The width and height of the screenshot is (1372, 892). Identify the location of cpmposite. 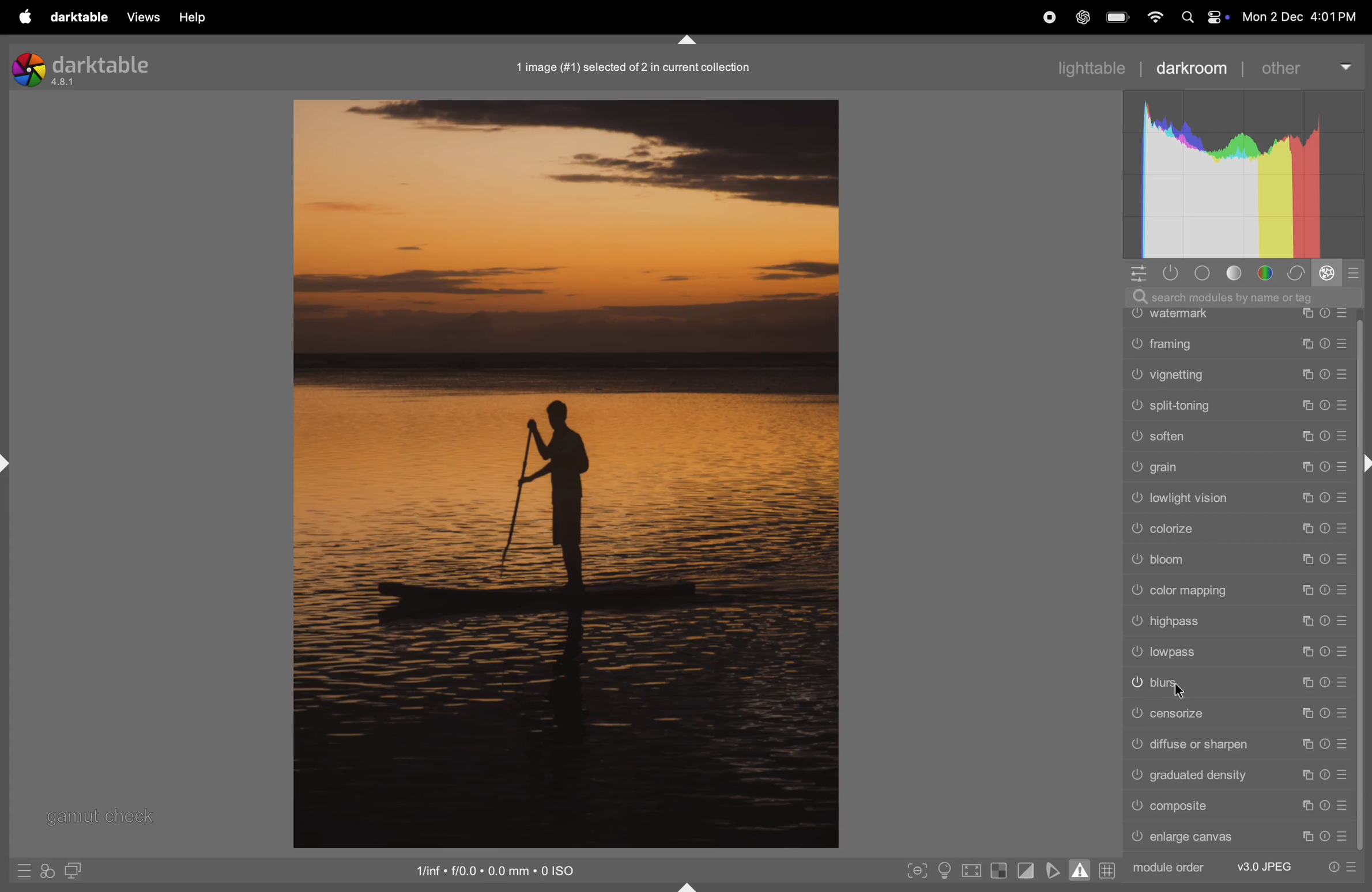
(1242, 809).